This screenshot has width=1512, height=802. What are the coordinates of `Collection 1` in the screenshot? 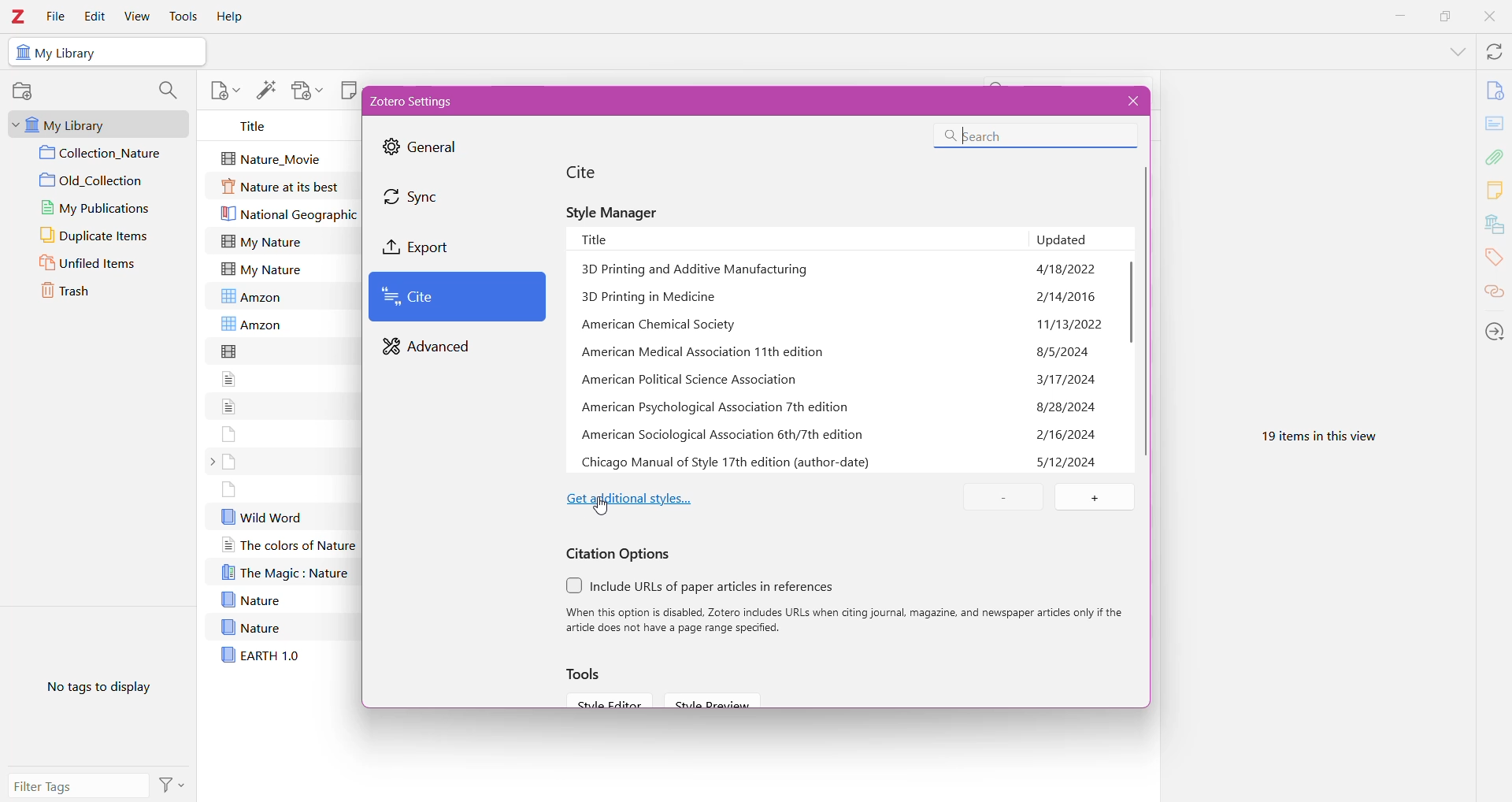 It's located at (105, 154).